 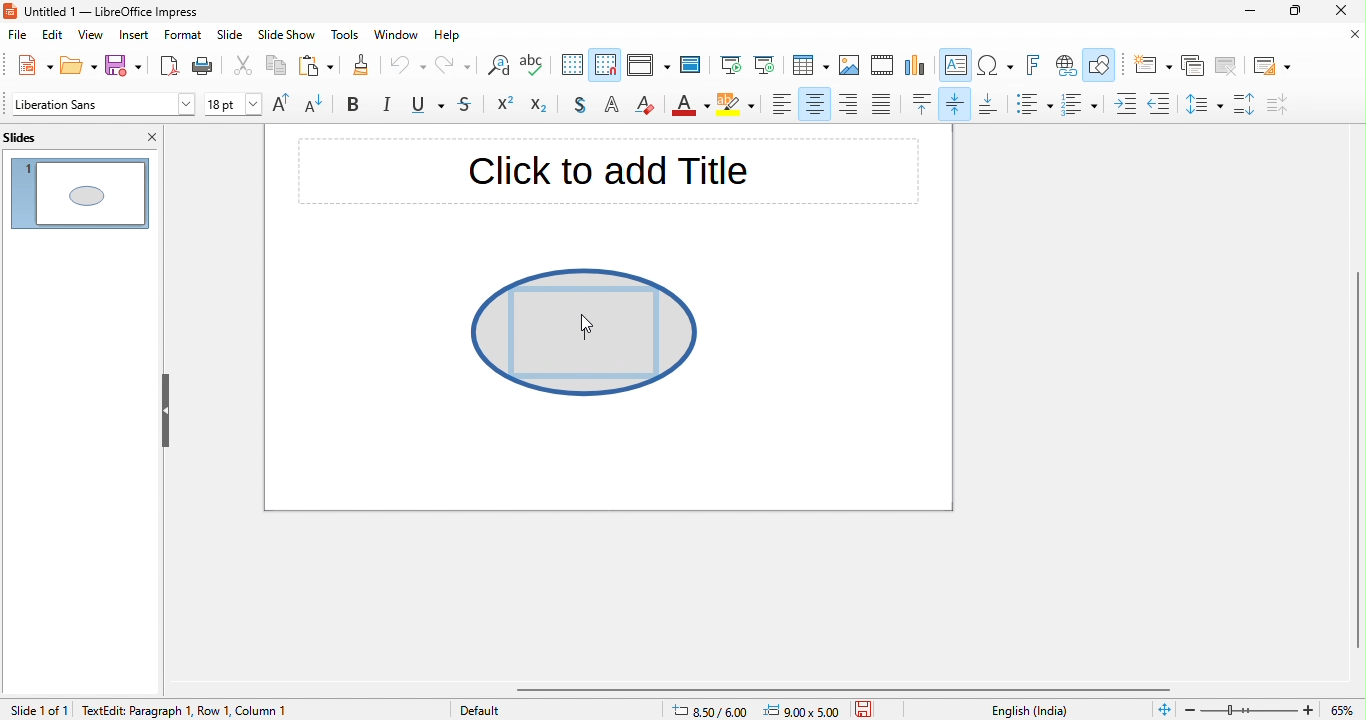 I want to click on close, so click(x=148, y=137).